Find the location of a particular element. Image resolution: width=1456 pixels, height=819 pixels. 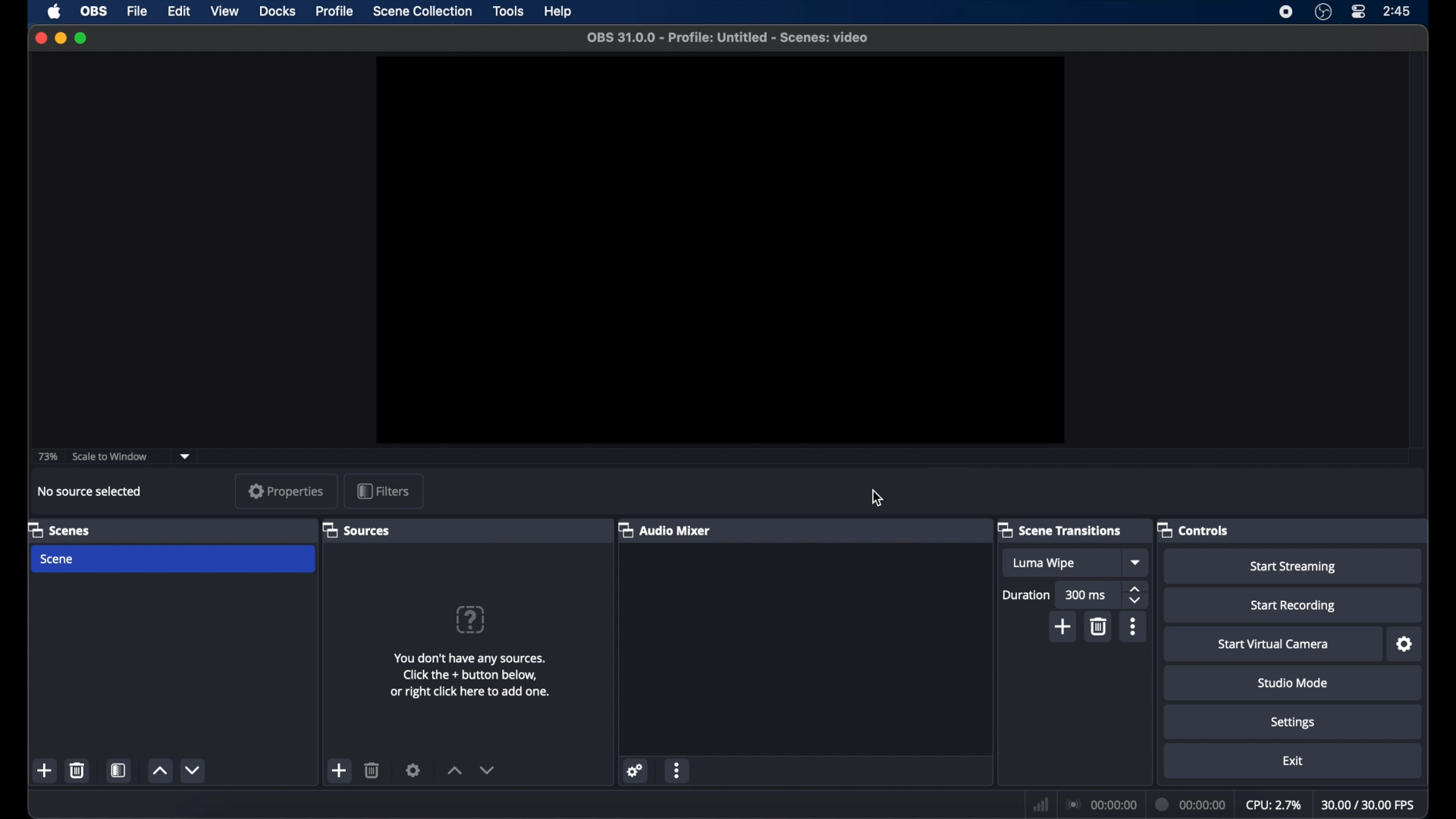

file name is located at coordinates (730, 36).